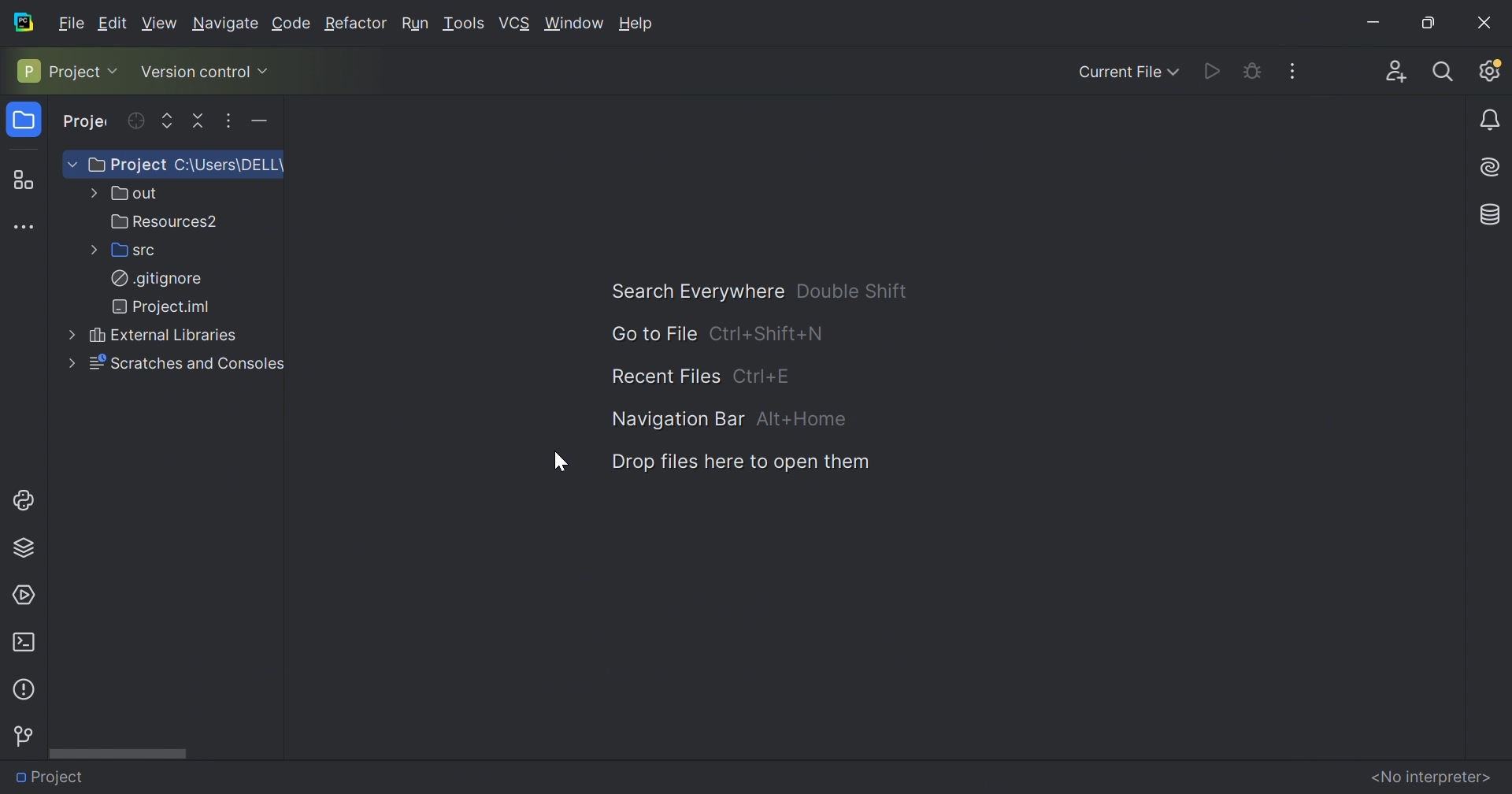 This screenshot has width=1512, height=794. What do you see at coordinates (24, 121) in the screenshot?
I see `Project` at bounding box center [24, 121].